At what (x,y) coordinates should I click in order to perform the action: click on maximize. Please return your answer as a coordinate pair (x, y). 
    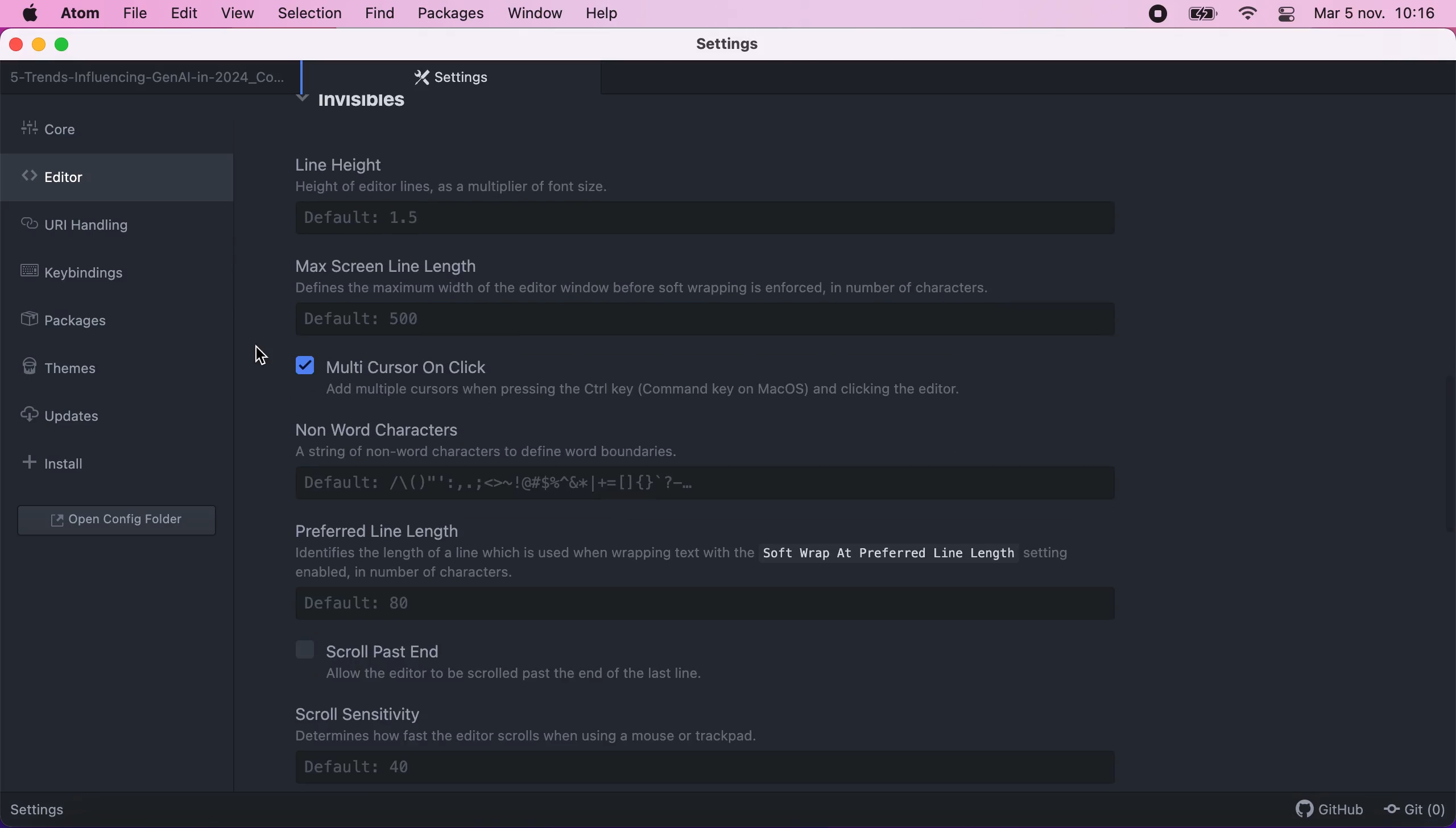
    Looking at the image, I should click on (67, 45).